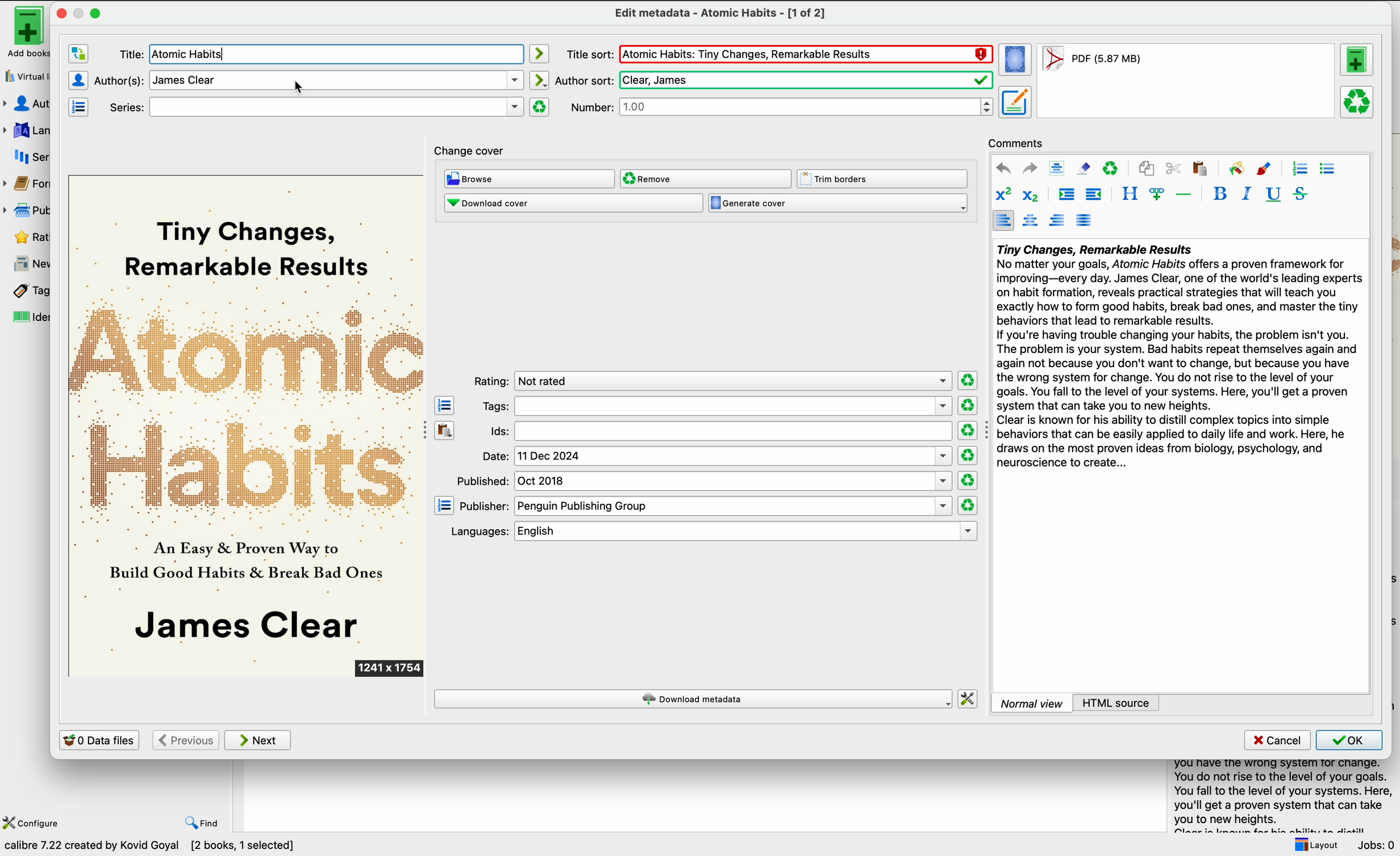 The image size is (1400, 856). Describe the element at coordinates (78, 55) in the screenshot. I see `swap the author and title` at that location.